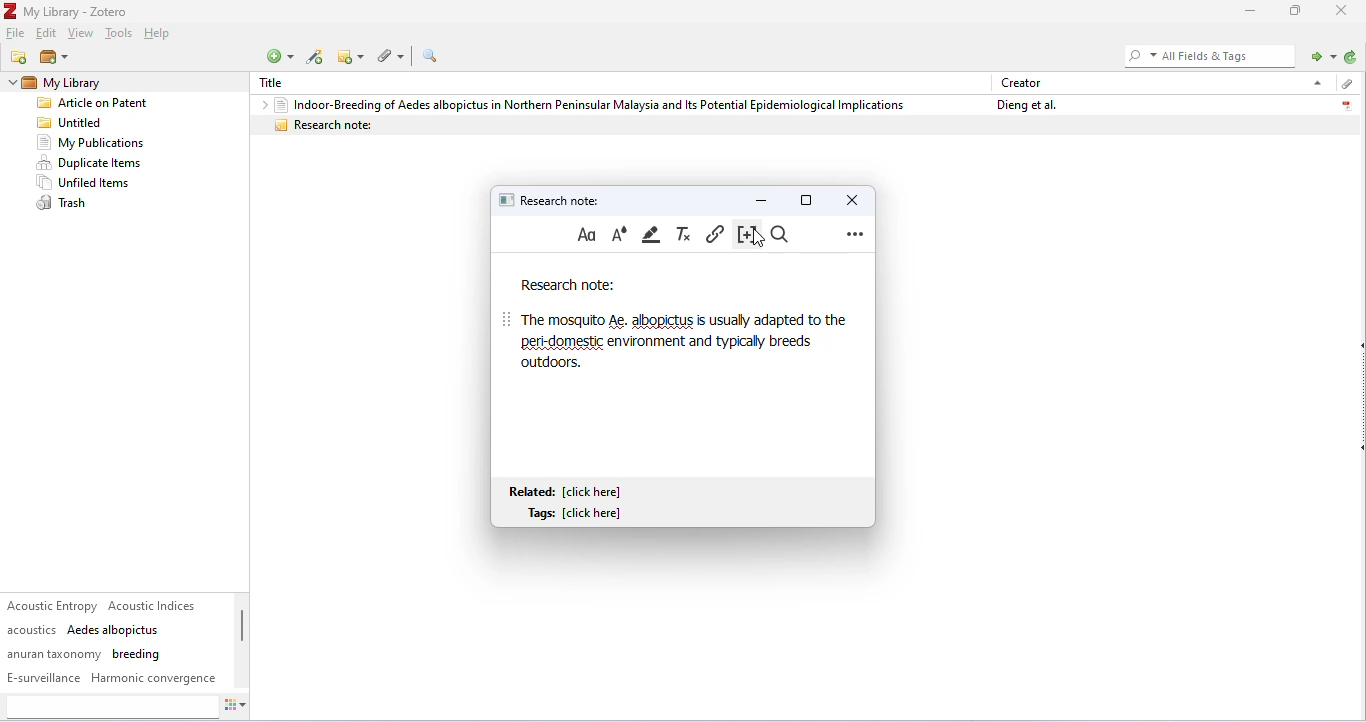 The width and height of the screenshot is (1366, 722). What do you see at coordinates (855, 233) in the screenshot?
I see `more` at bounding box center [855, 233].